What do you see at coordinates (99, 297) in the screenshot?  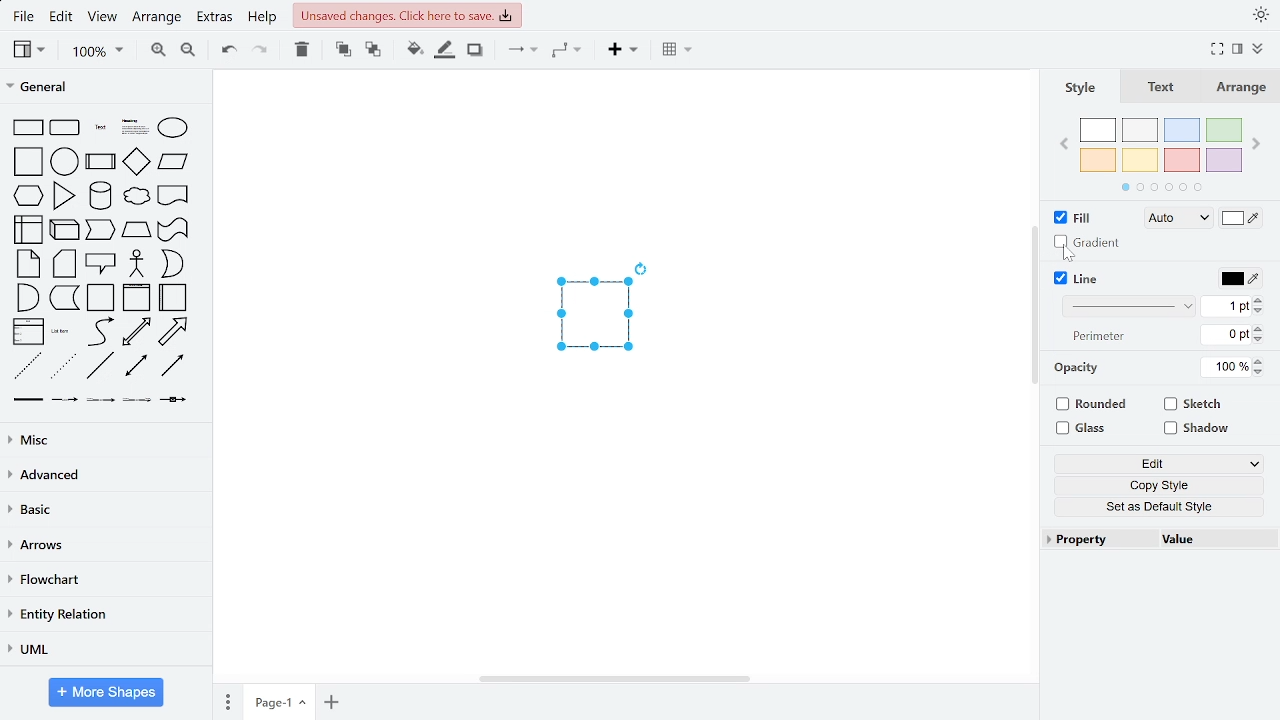 I see `general shapes` at bounding box center [99, 297].